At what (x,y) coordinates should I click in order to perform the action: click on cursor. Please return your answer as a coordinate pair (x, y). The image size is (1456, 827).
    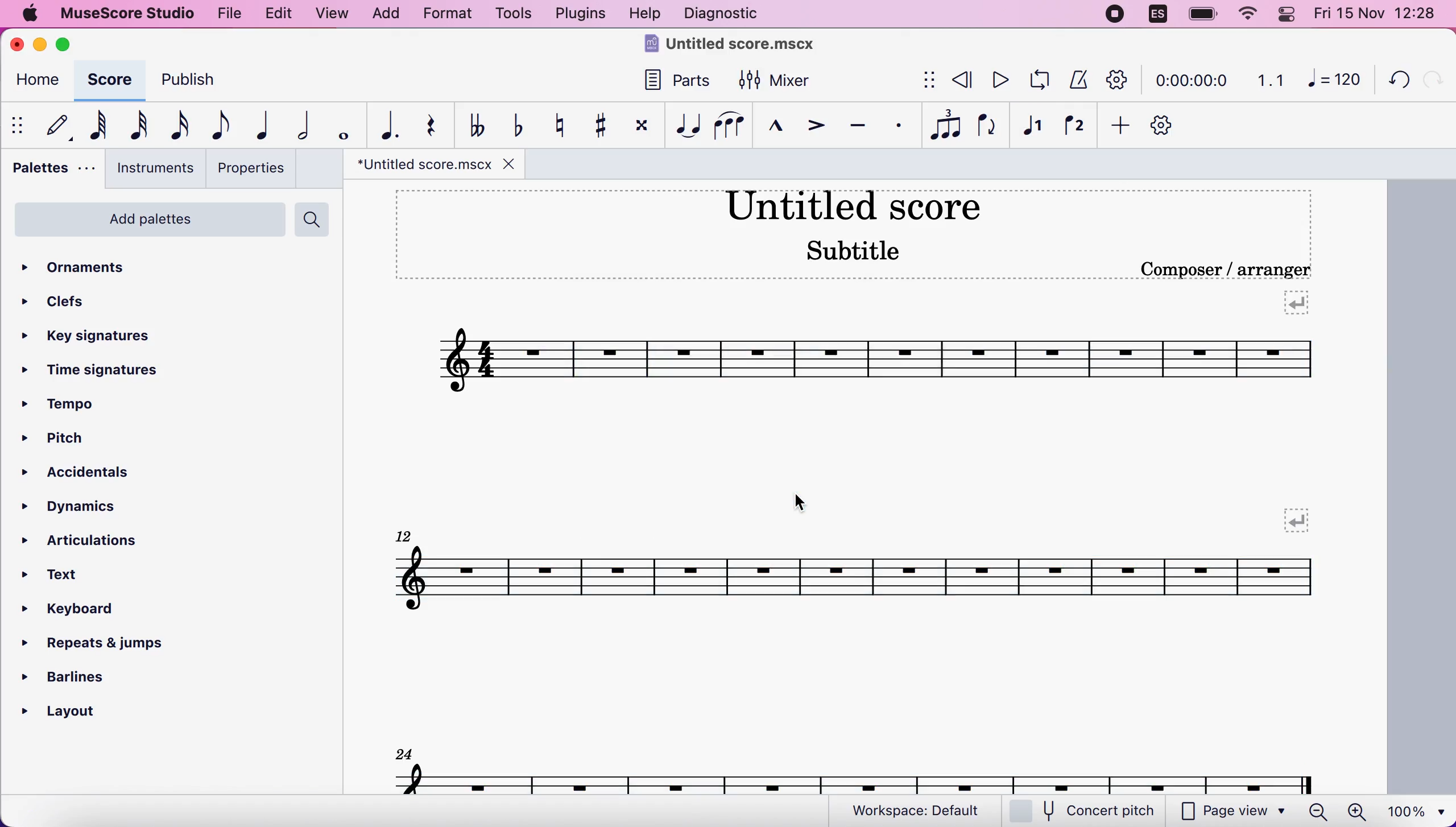
    Looking at the image, I should click on (802, 501).